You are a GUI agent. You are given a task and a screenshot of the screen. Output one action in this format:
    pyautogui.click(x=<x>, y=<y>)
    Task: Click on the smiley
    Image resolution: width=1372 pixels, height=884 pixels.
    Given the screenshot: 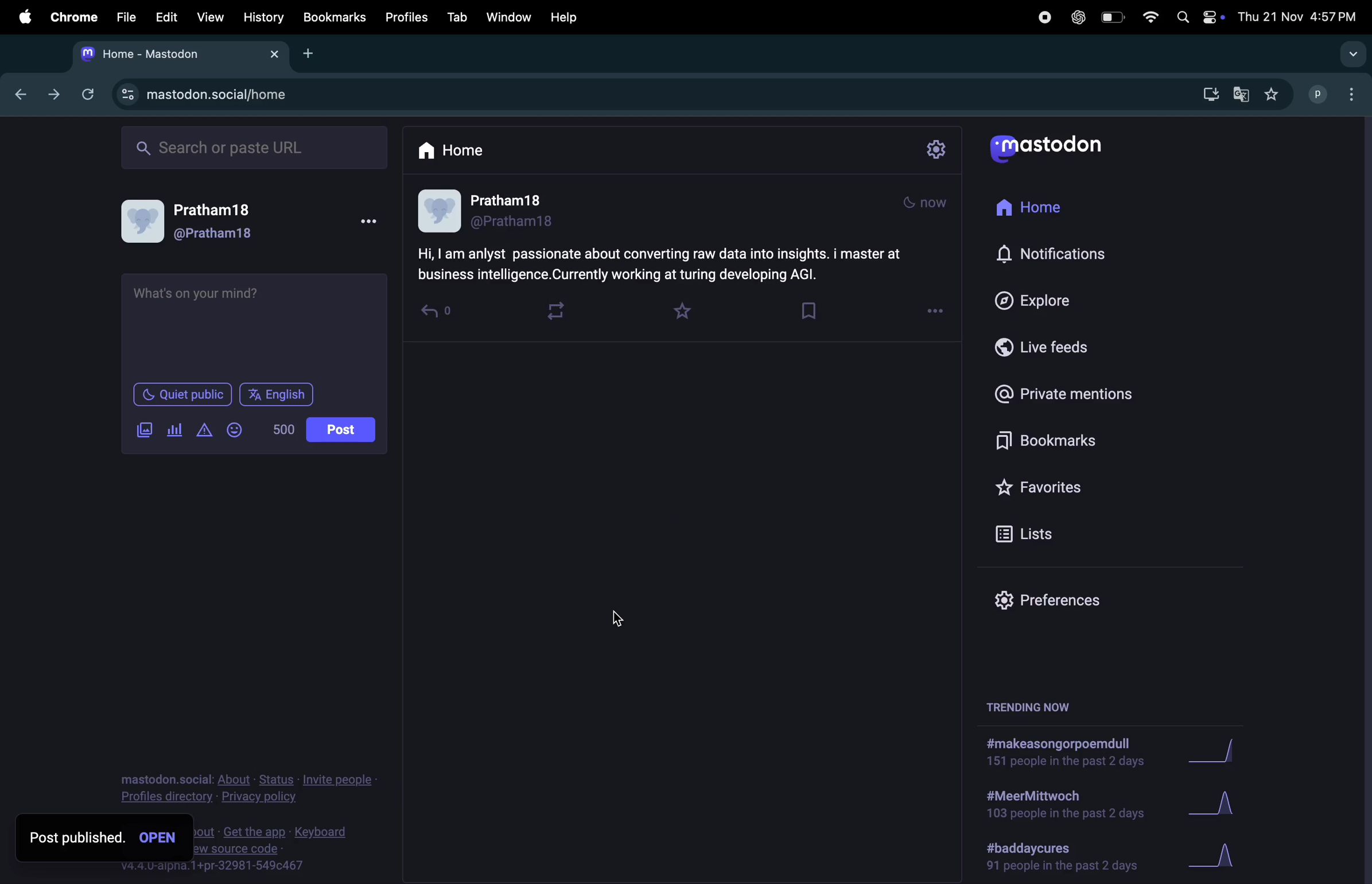 What is the action you would take?
    pyautogui.click(x=237, y=431)
    